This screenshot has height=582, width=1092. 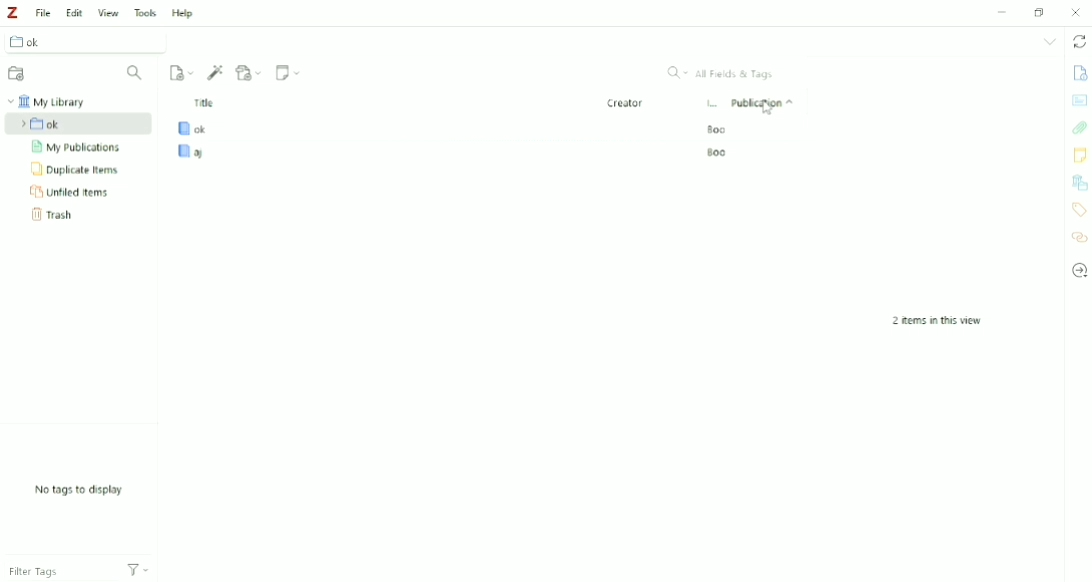 What do you see at coordinates (183, 14) in the screenshot?
I see `Help` at bounding box center [183, 14].